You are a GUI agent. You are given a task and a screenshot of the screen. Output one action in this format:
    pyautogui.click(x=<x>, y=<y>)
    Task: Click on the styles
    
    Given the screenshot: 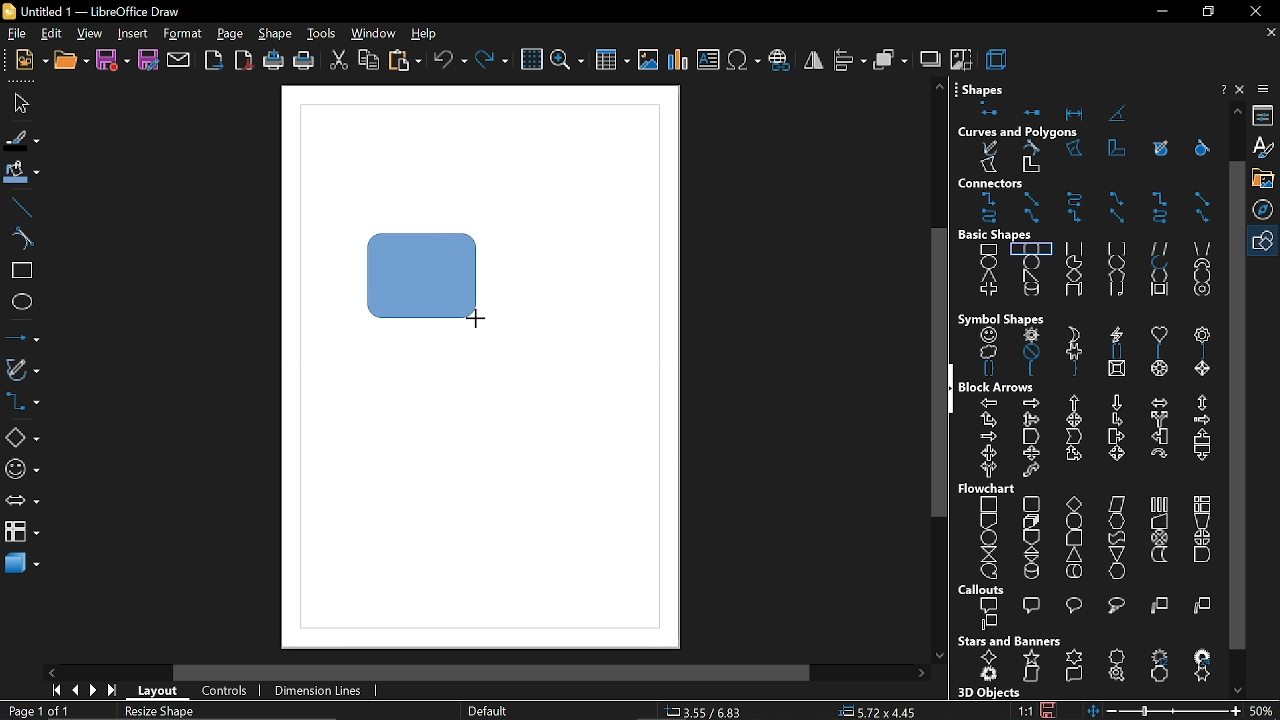 What is the action you would take?
    pyautogui.click(x=1265, y=148)
    